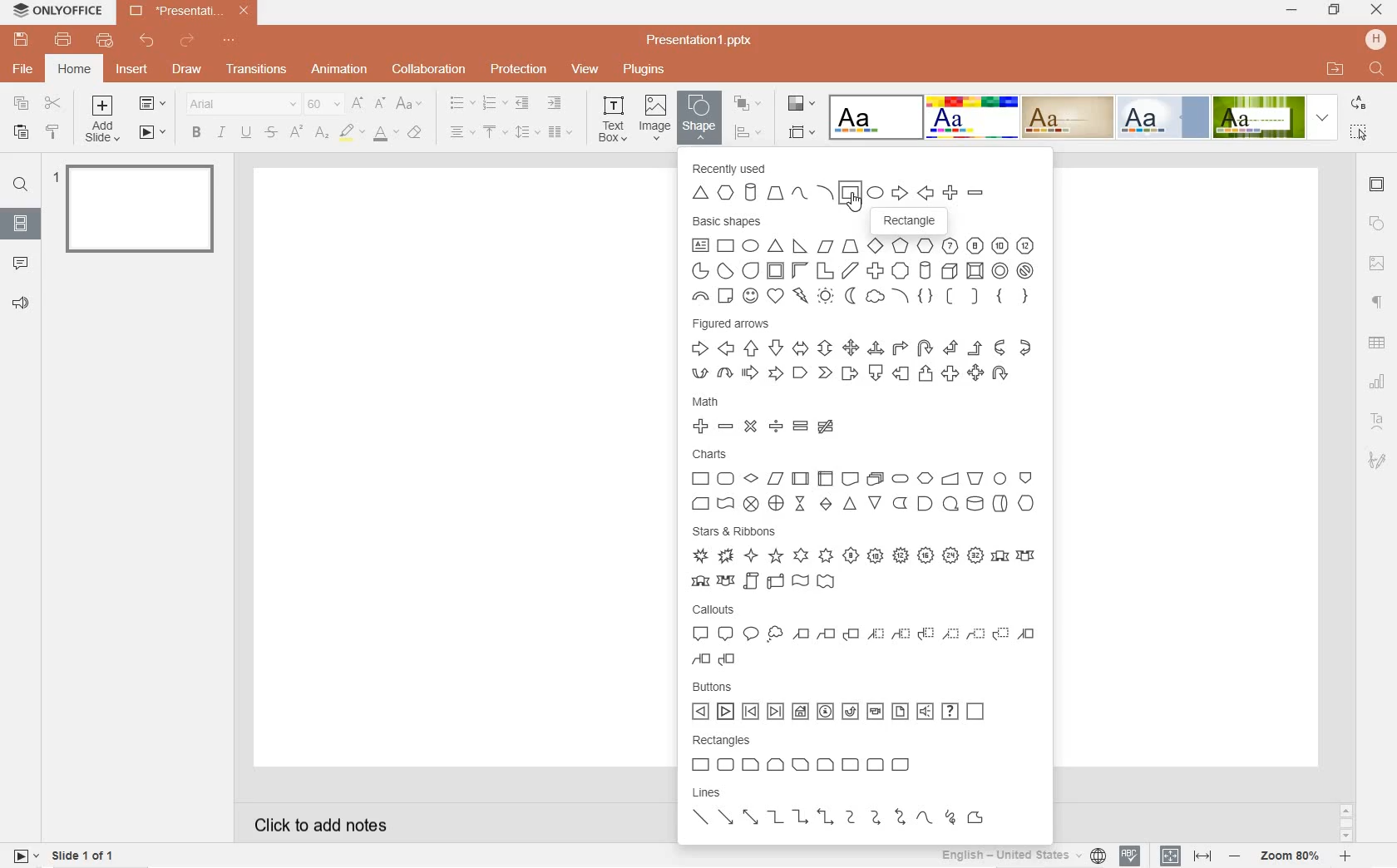 This screenshot has height=868, width=1397. What do you see at coordinates (900, 818) in the screenshot?
I see `Curved double arrow connector` at bounding box center [900, 818].